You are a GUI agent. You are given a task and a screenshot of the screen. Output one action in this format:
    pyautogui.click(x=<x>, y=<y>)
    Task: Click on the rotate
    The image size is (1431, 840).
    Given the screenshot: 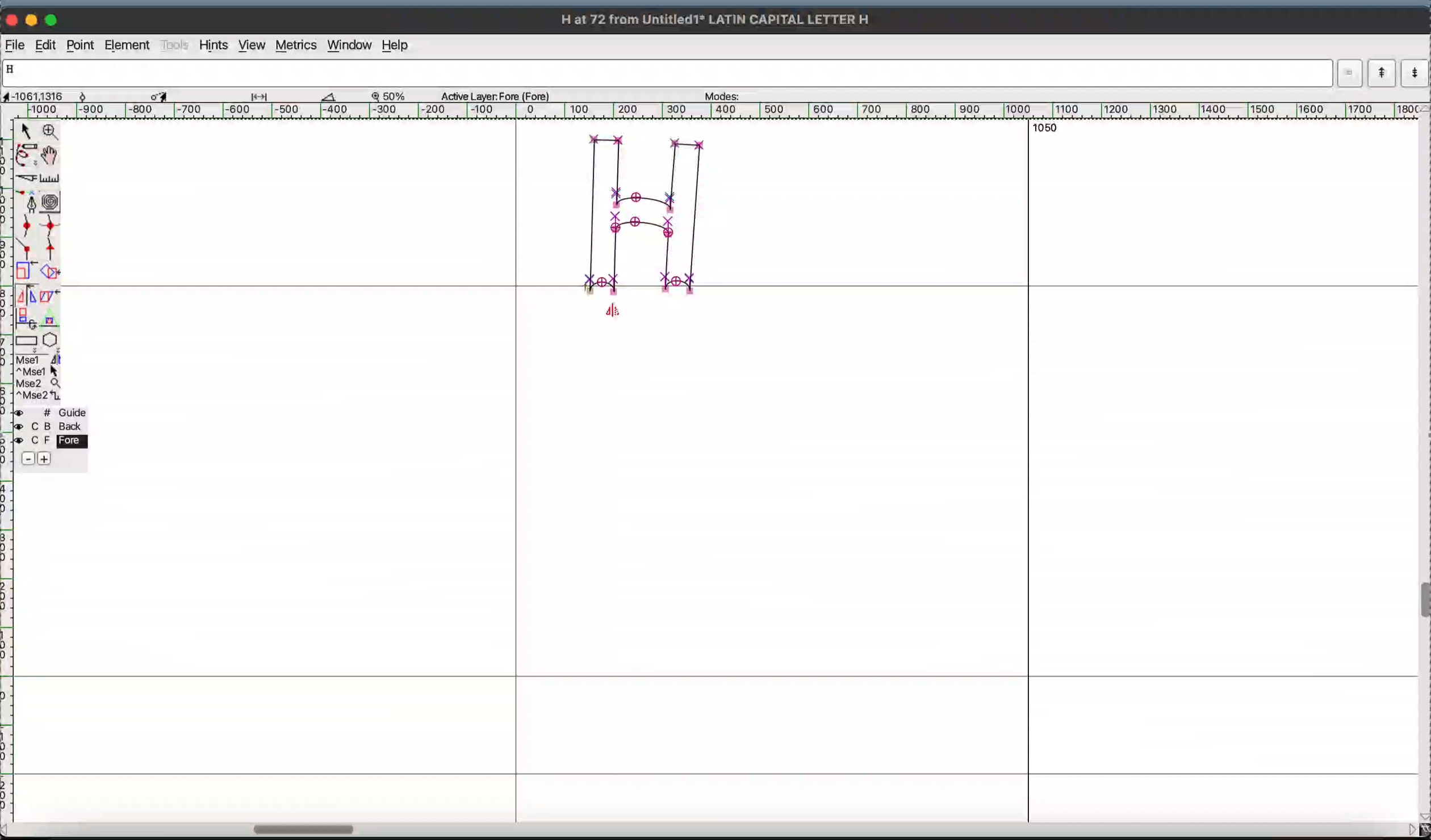 What is the action you would take?
    pyautogui.click(x=51, y=272)
    